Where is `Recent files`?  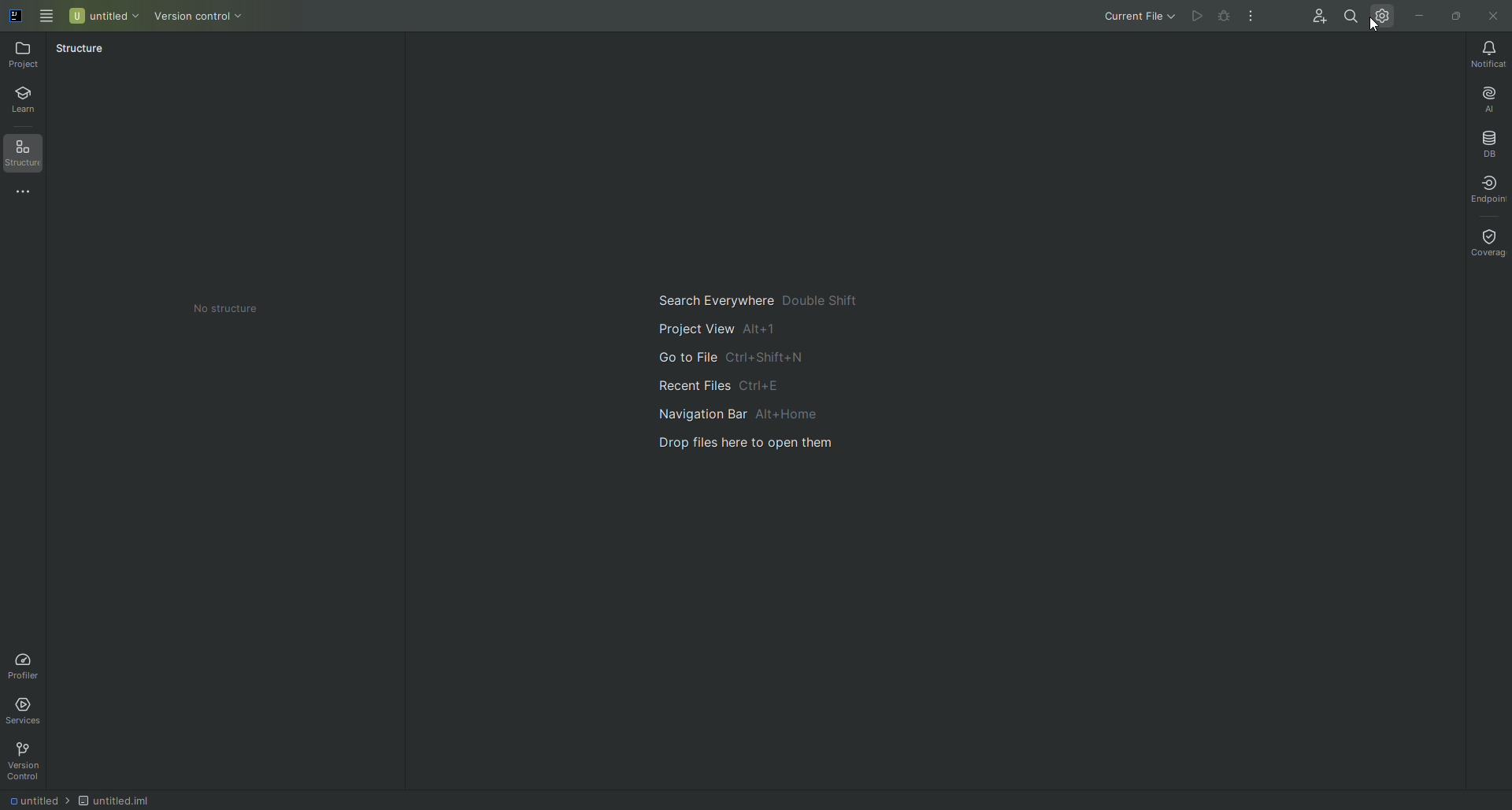 Recent files is located at coordinates (767, 388).